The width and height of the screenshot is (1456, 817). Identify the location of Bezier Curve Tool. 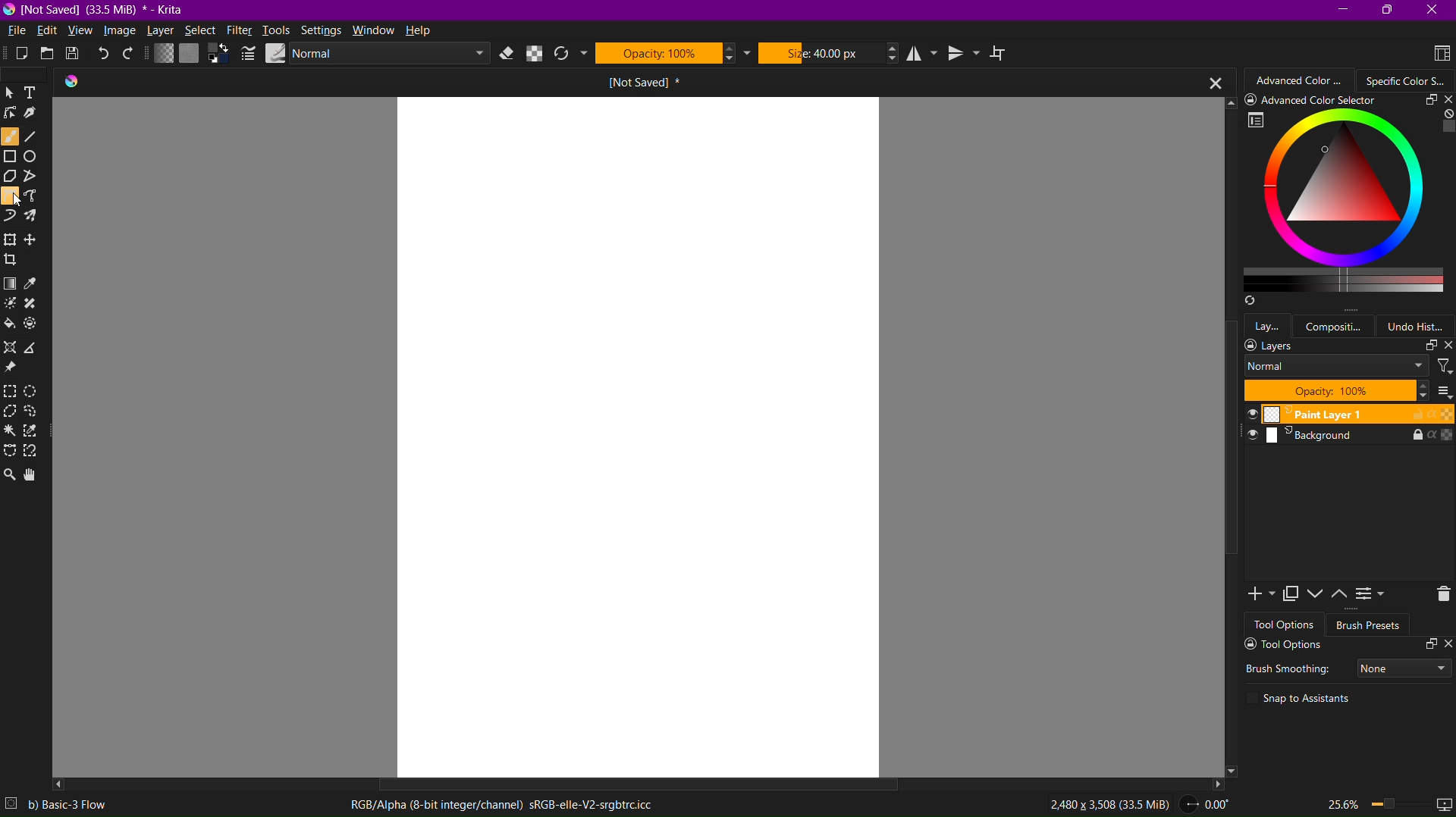
(10, 199).